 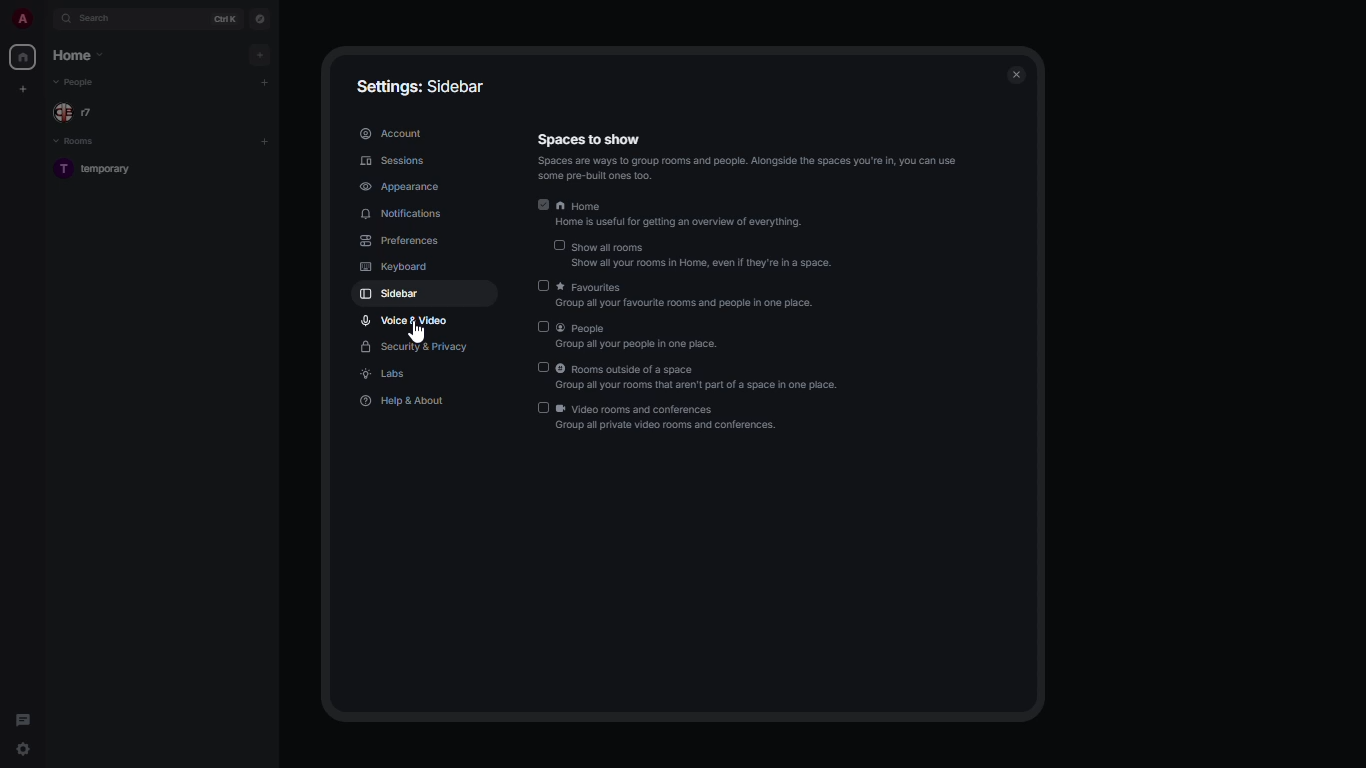 I want to click on rooms outside of a space, so click(x=702, y=378).